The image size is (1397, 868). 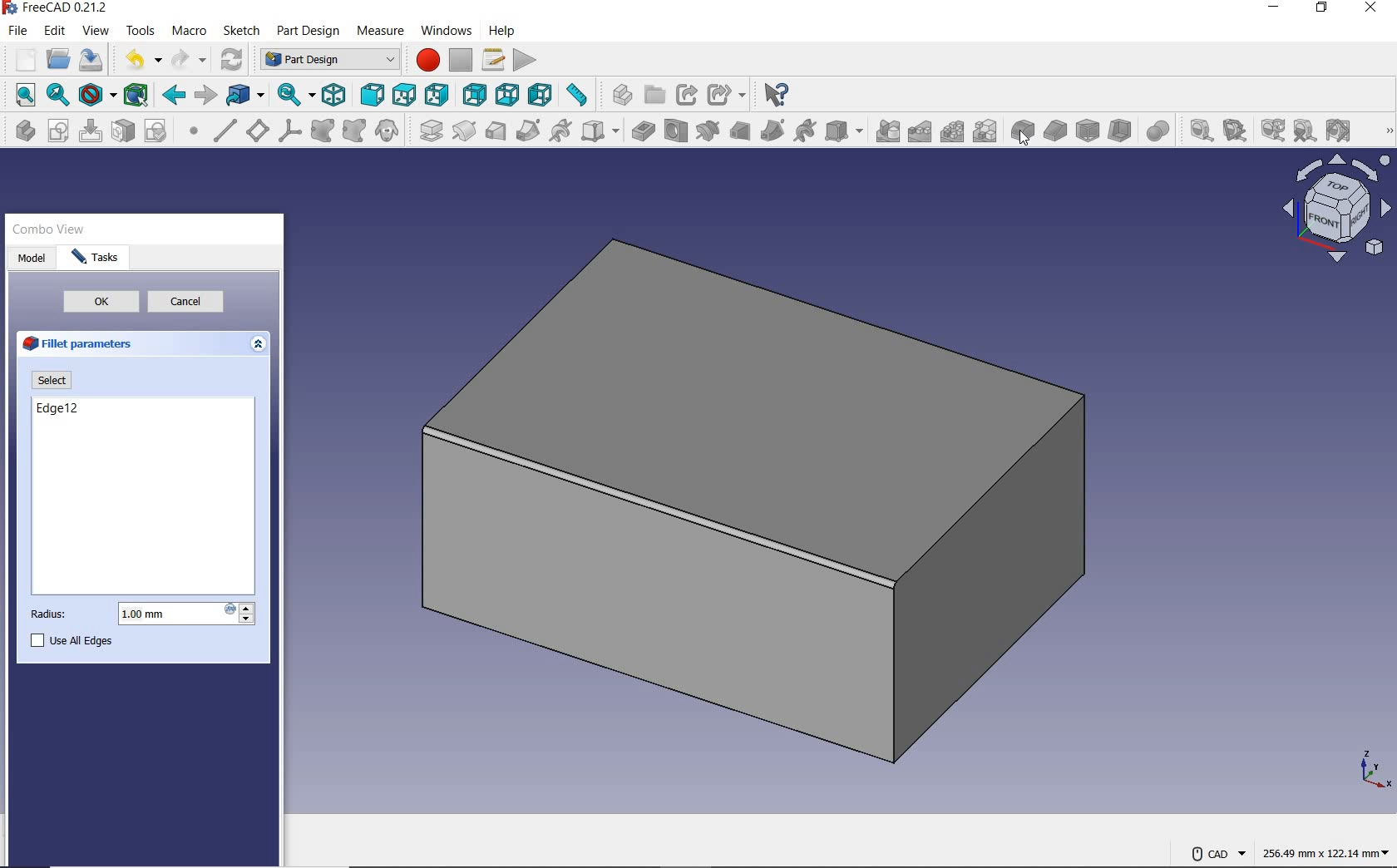 What do you see at coordinates (727, 93) in the screenshot?
I see `make sub-link` at bounding box center [727, 93].